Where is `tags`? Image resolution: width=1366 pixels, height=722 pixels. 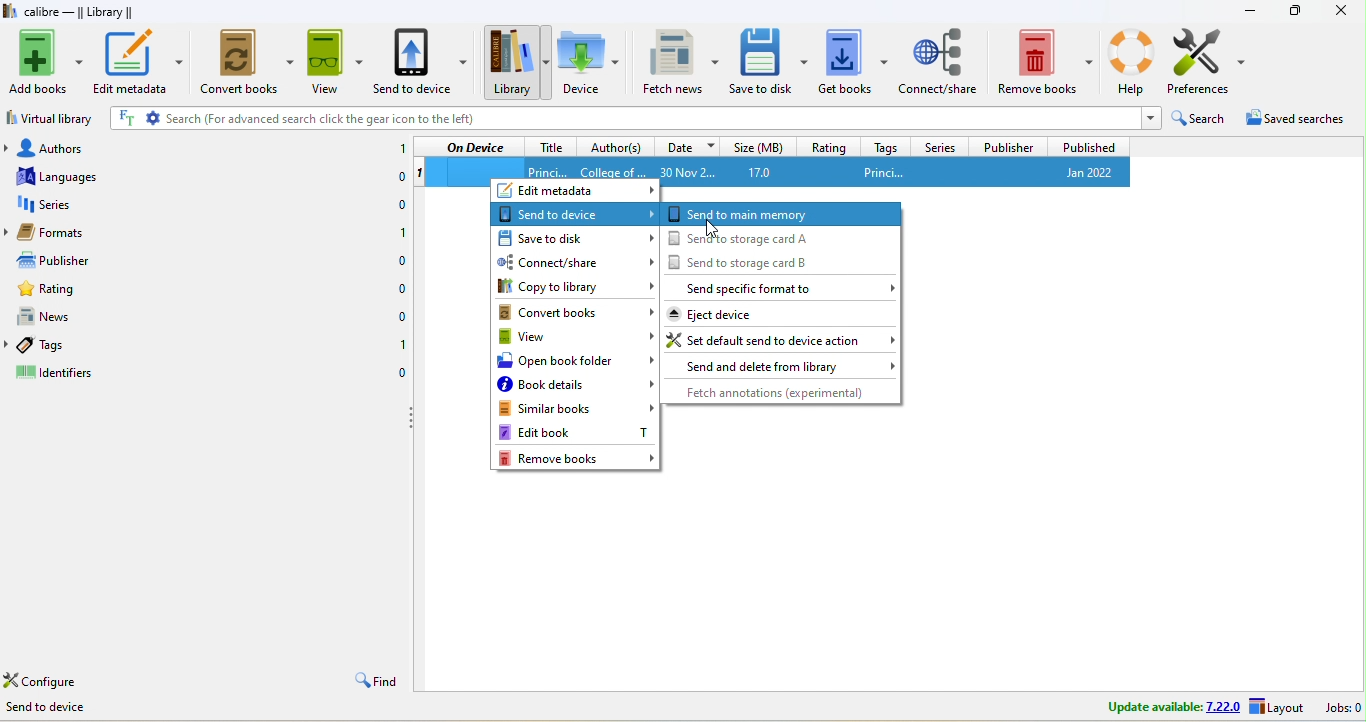
tags is located at coordinates (882, 146).